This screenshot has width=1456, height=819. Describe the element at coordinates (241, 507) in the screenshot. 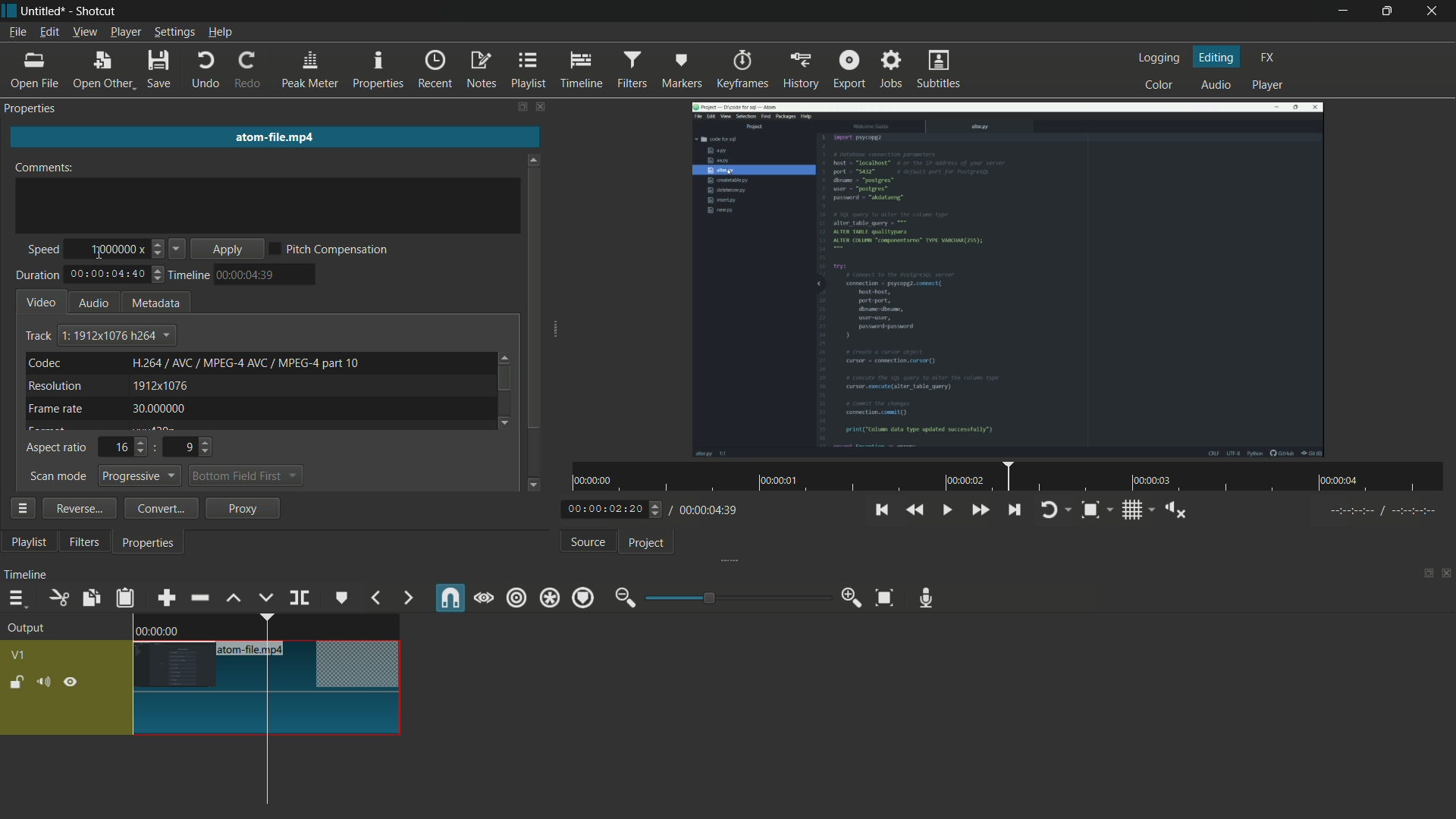

I see `proxy` at that location.